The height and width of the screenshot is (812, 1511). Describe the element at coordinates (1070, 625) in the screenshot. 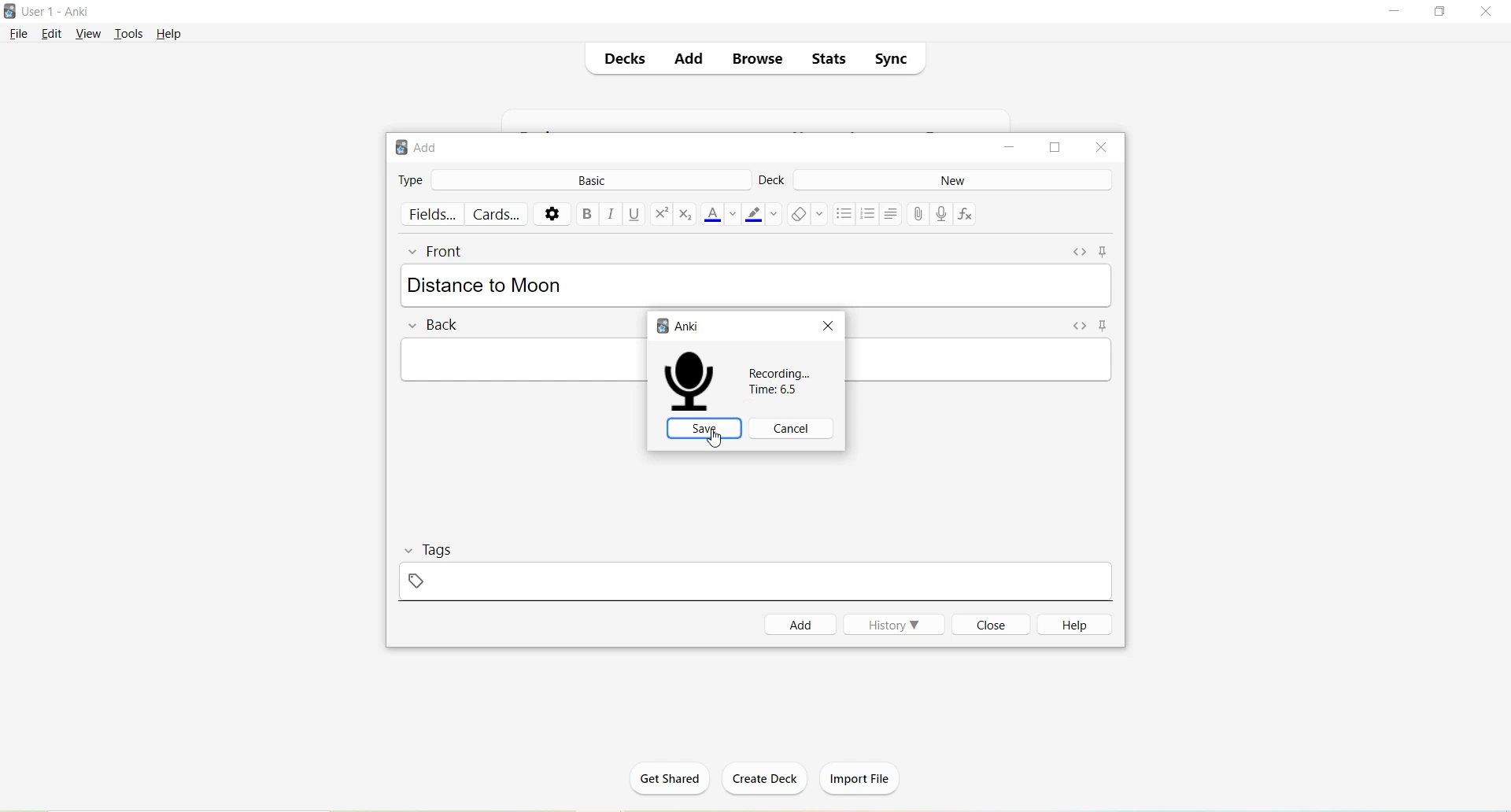

I see `Help` at that location.